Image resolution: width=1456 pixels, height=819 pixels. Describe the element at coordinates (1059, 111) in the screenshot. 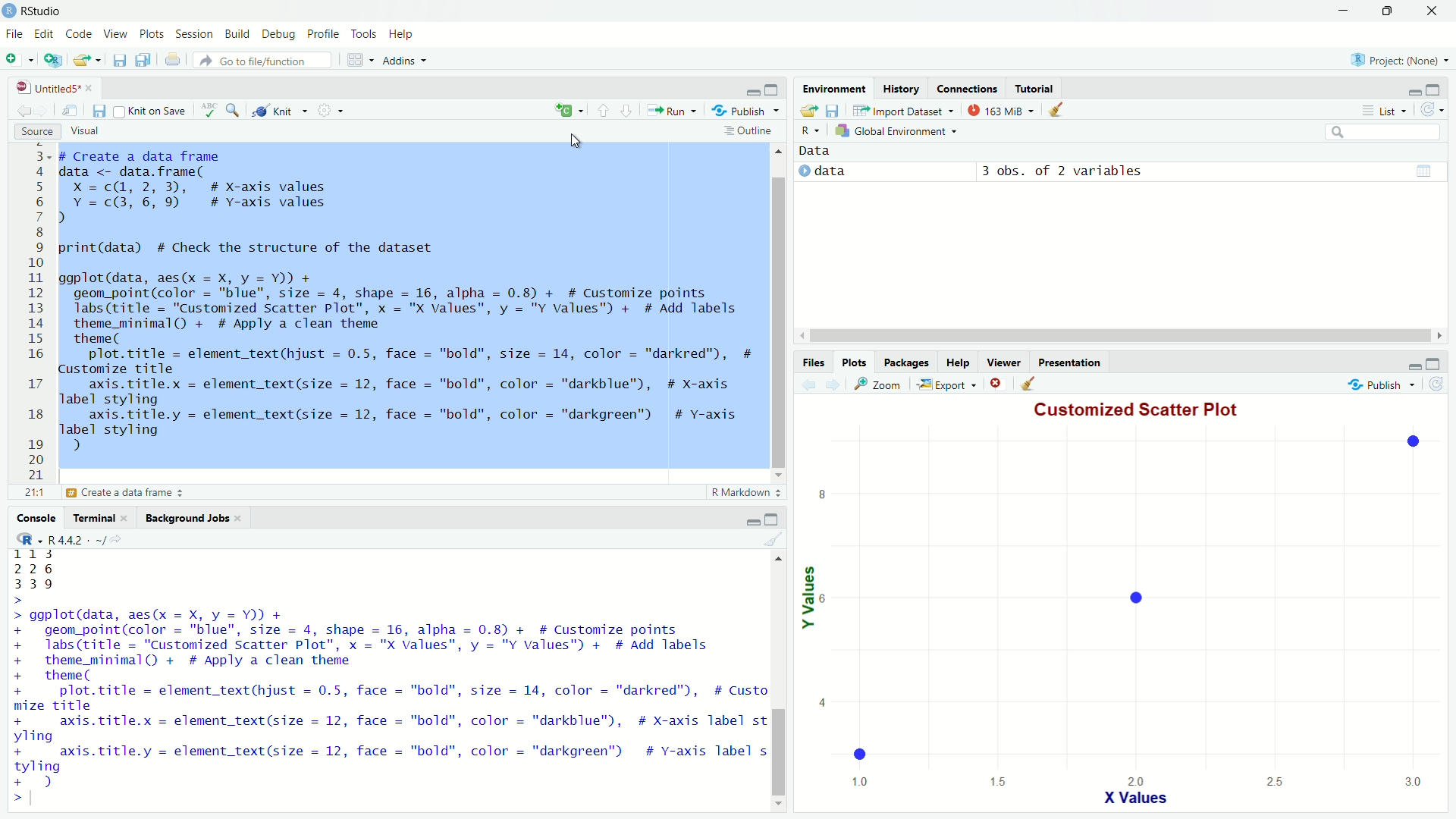

I see `Clear console` at that location.